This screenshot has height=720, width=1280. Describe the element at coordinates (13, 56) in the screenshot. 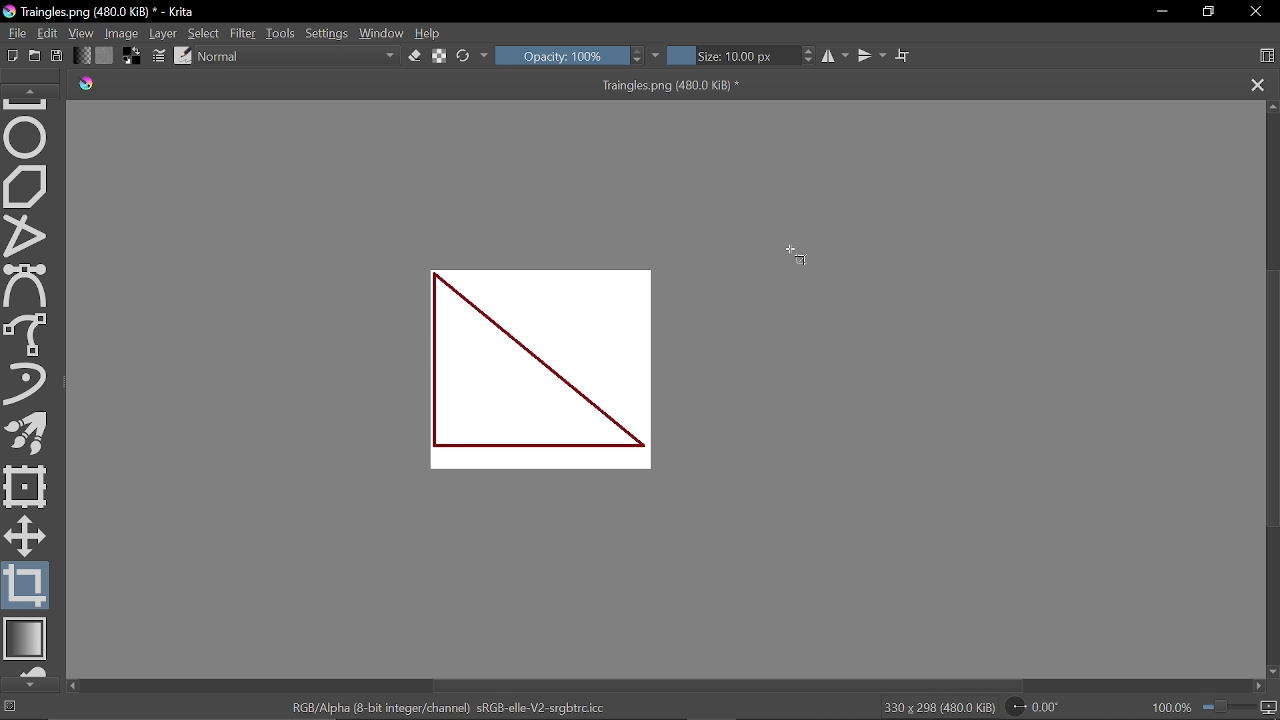

I see `Create new document` at that location.